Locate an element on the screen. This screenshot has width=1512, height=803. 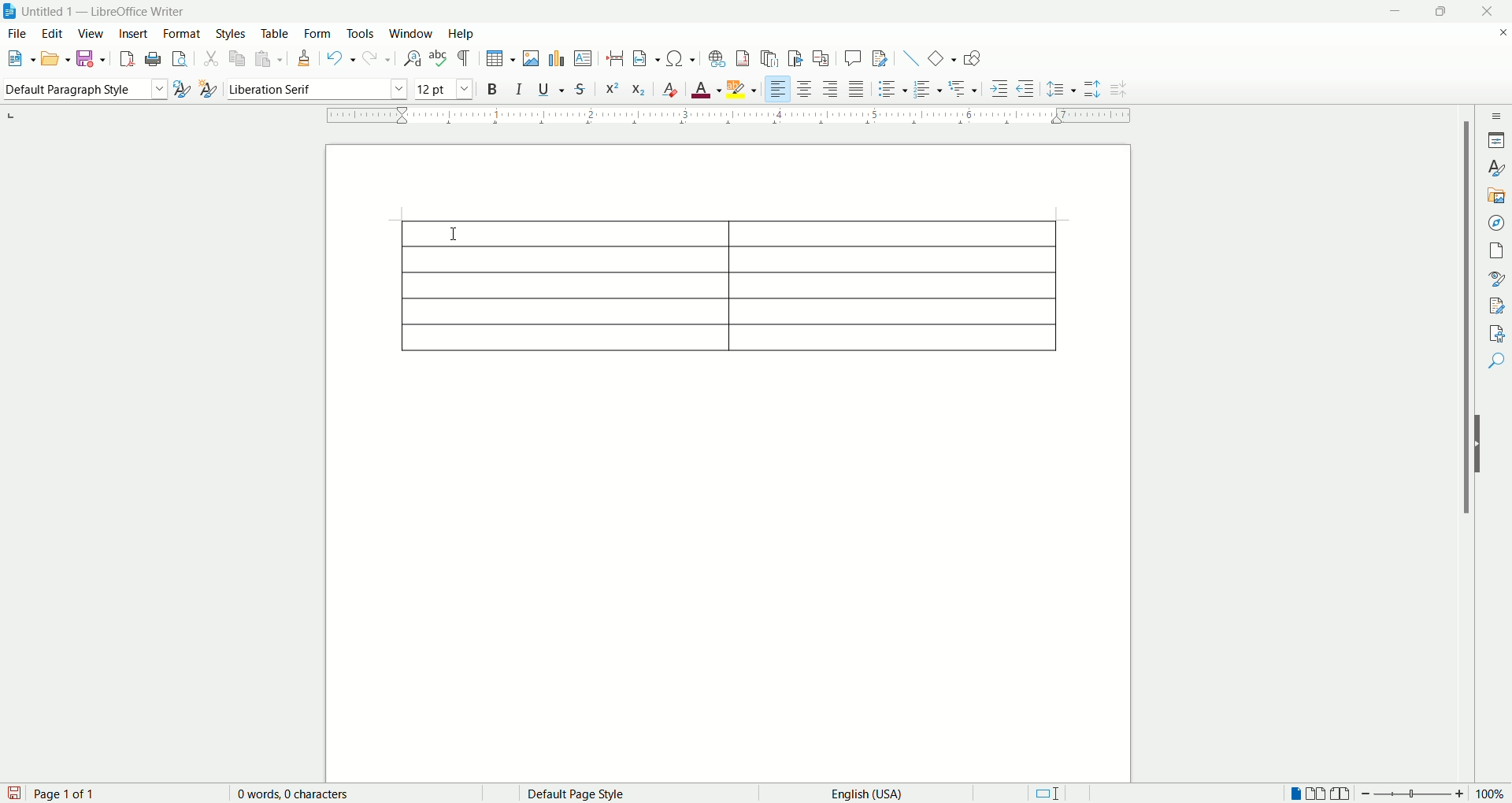
hide is located at coordinates (1482, 447).